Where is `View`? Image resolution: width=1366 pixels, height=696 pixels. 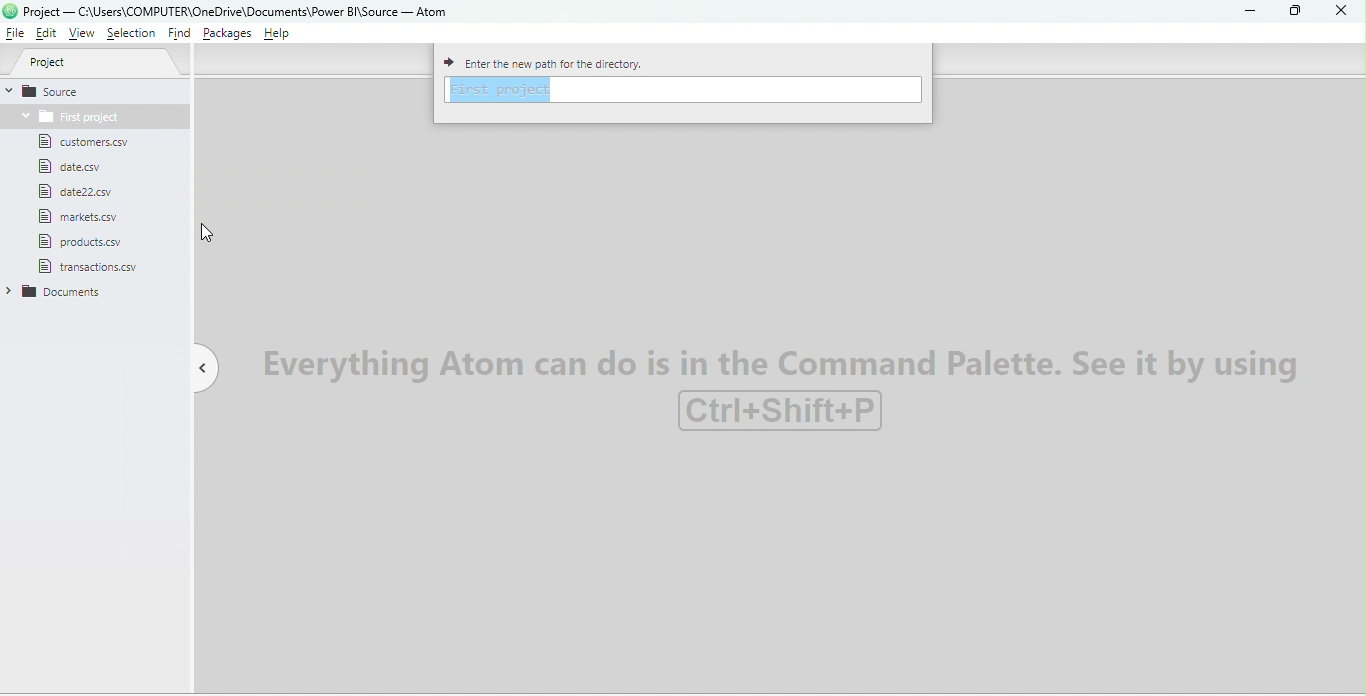
View is located at coordinates (83, 34).